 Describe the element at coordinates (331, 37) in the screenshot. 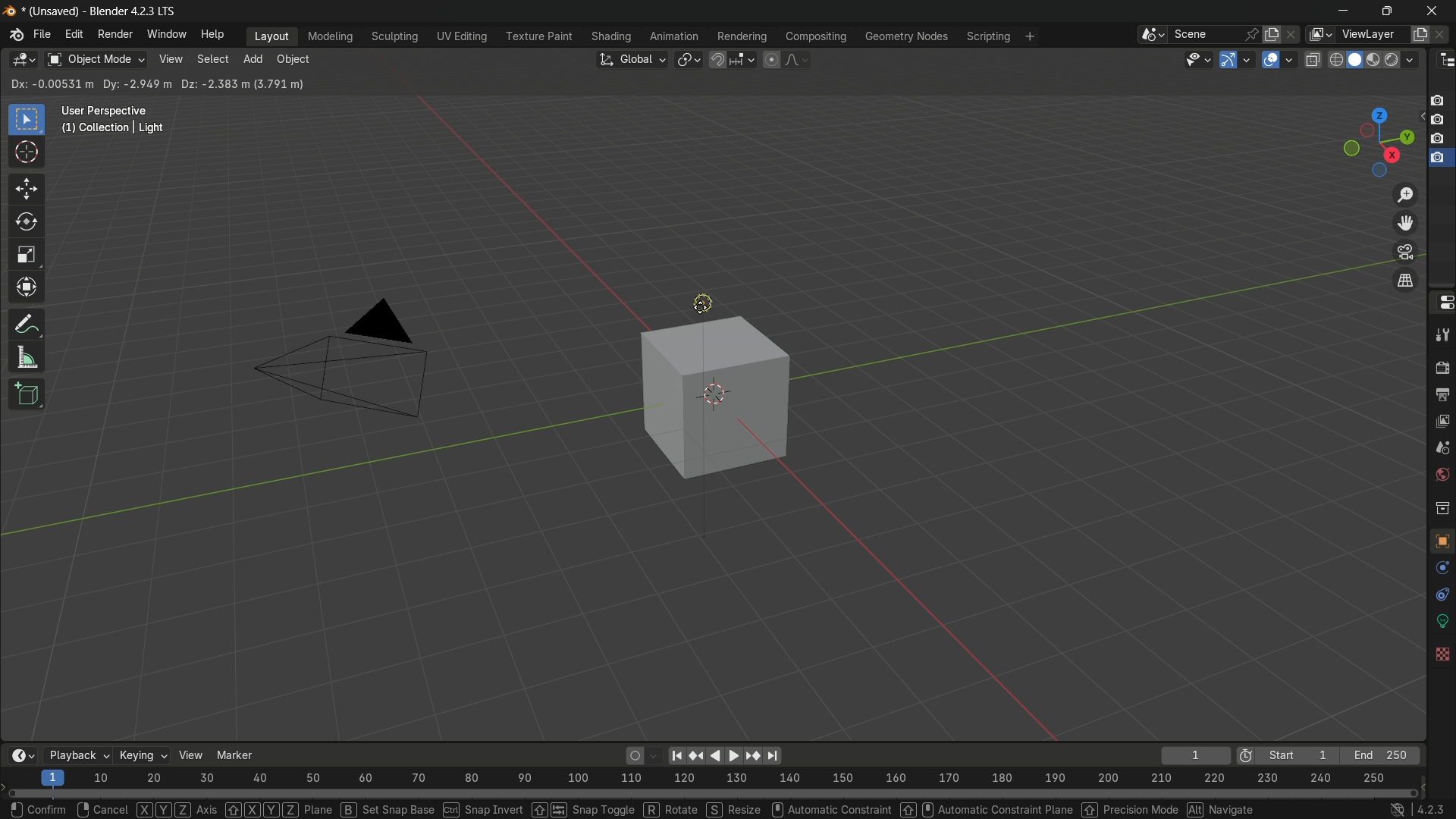

I see `modeling menu` at that location.